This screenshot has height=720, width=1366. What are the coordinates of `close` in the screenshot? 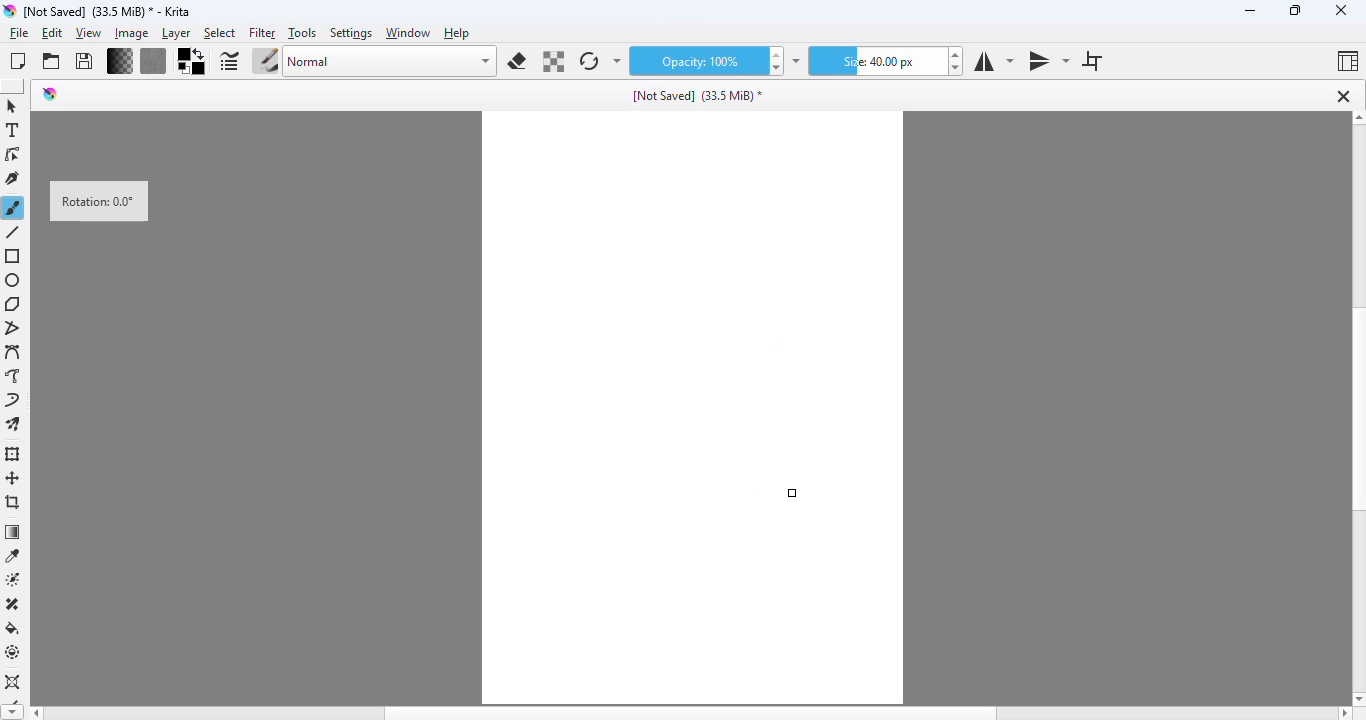 It's located at (1341, 11).